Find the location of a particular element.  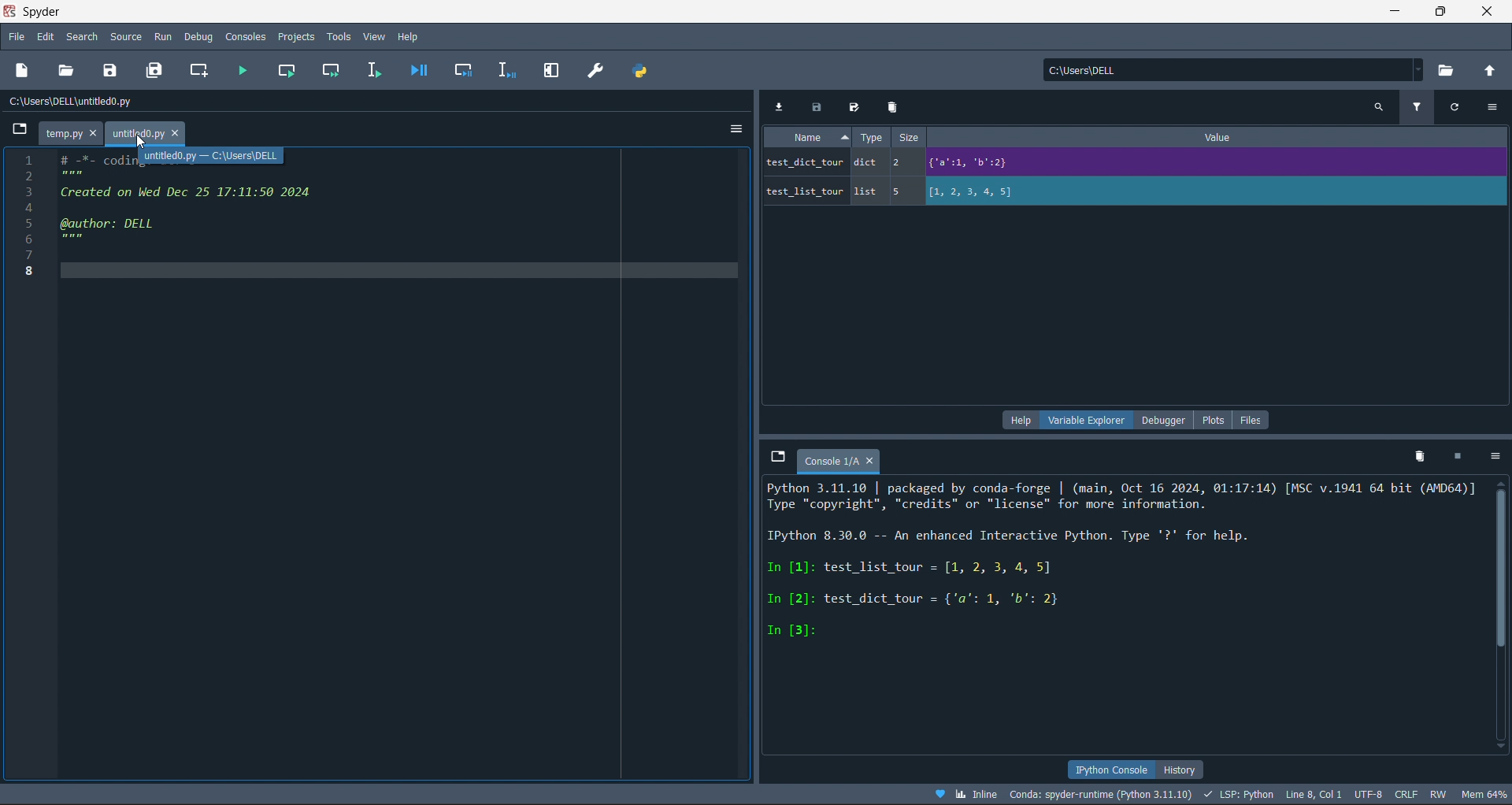

curosr is located at coordinates (142, 142).